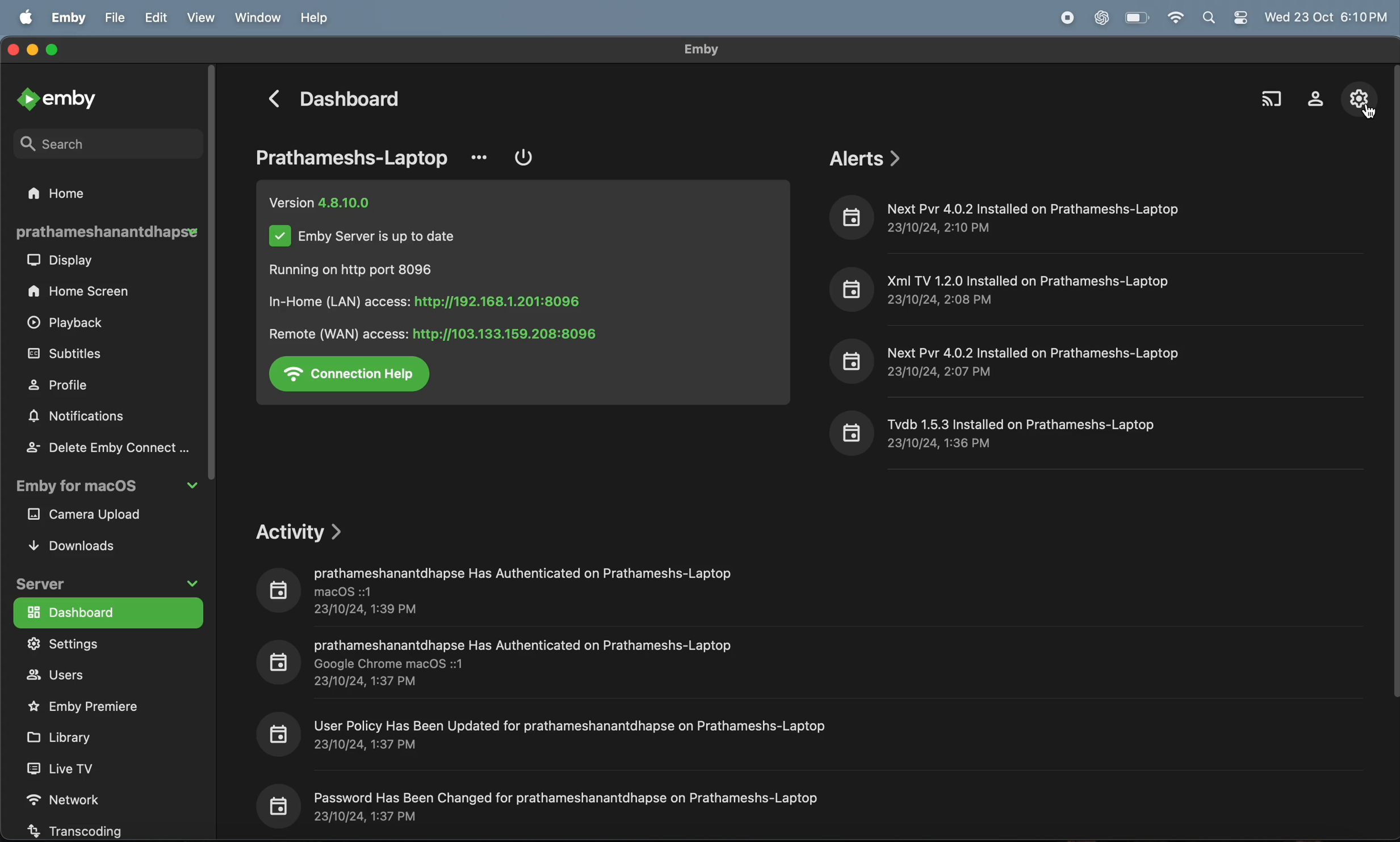 Image resolution: width=1400 pixels, height=842 pixels. Describe the element at coordinates (360, 236) in the screenshot. I see `Vv Emby Server is up to date` at that location.